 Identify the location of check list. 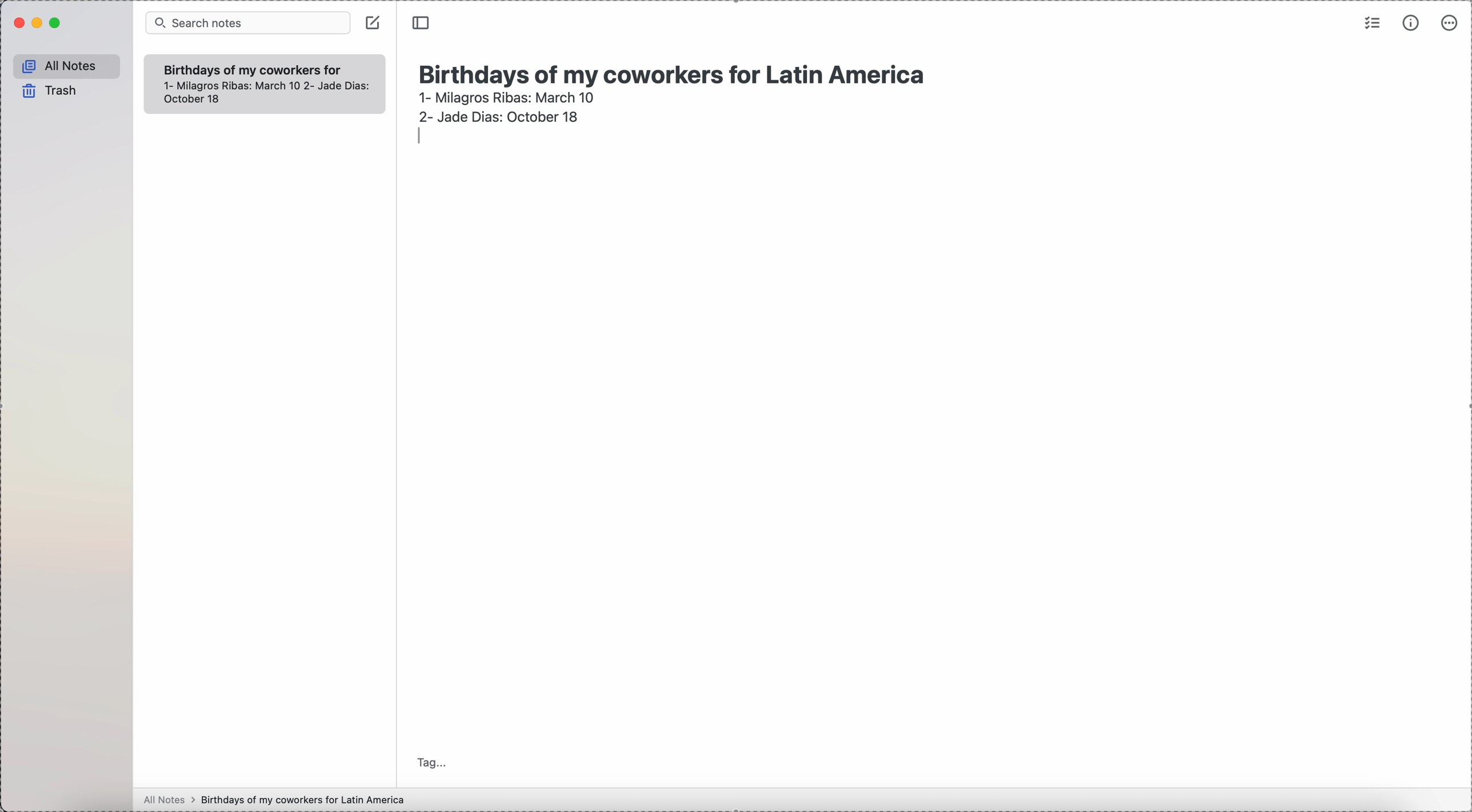
(1371, 22).